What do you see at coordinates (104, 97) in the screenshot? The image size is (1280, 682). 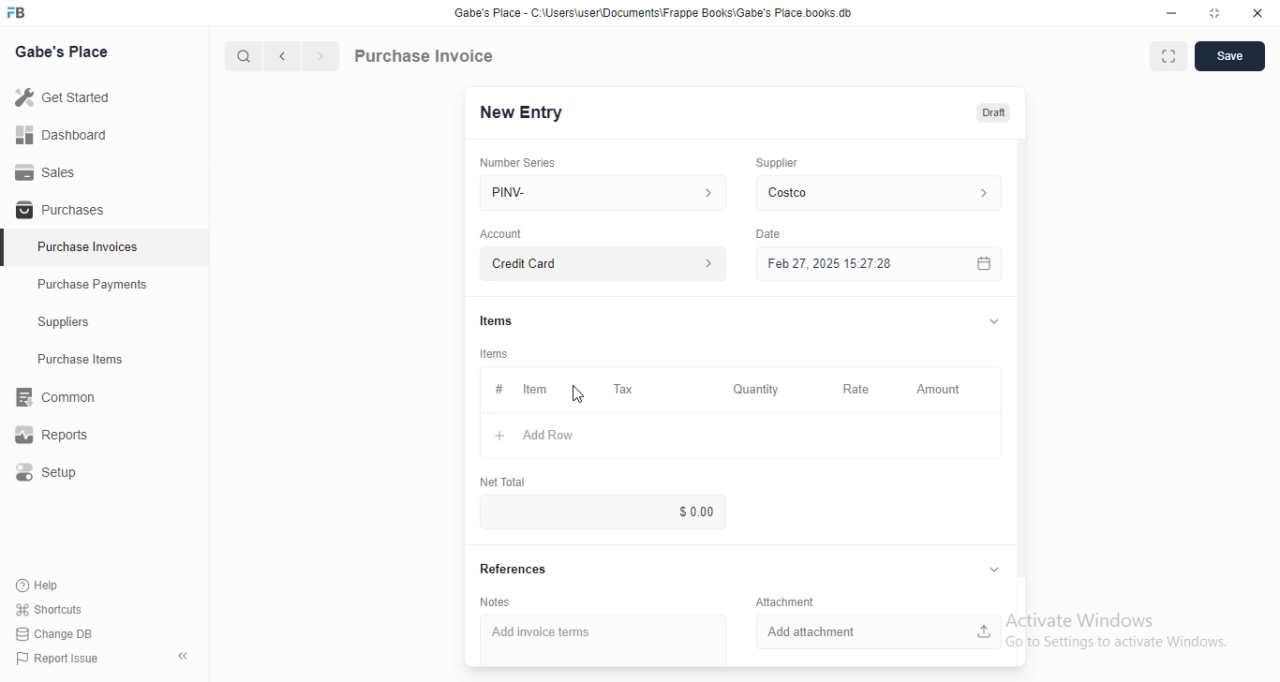 I see `Get Started` at bounding box center [104, 97].